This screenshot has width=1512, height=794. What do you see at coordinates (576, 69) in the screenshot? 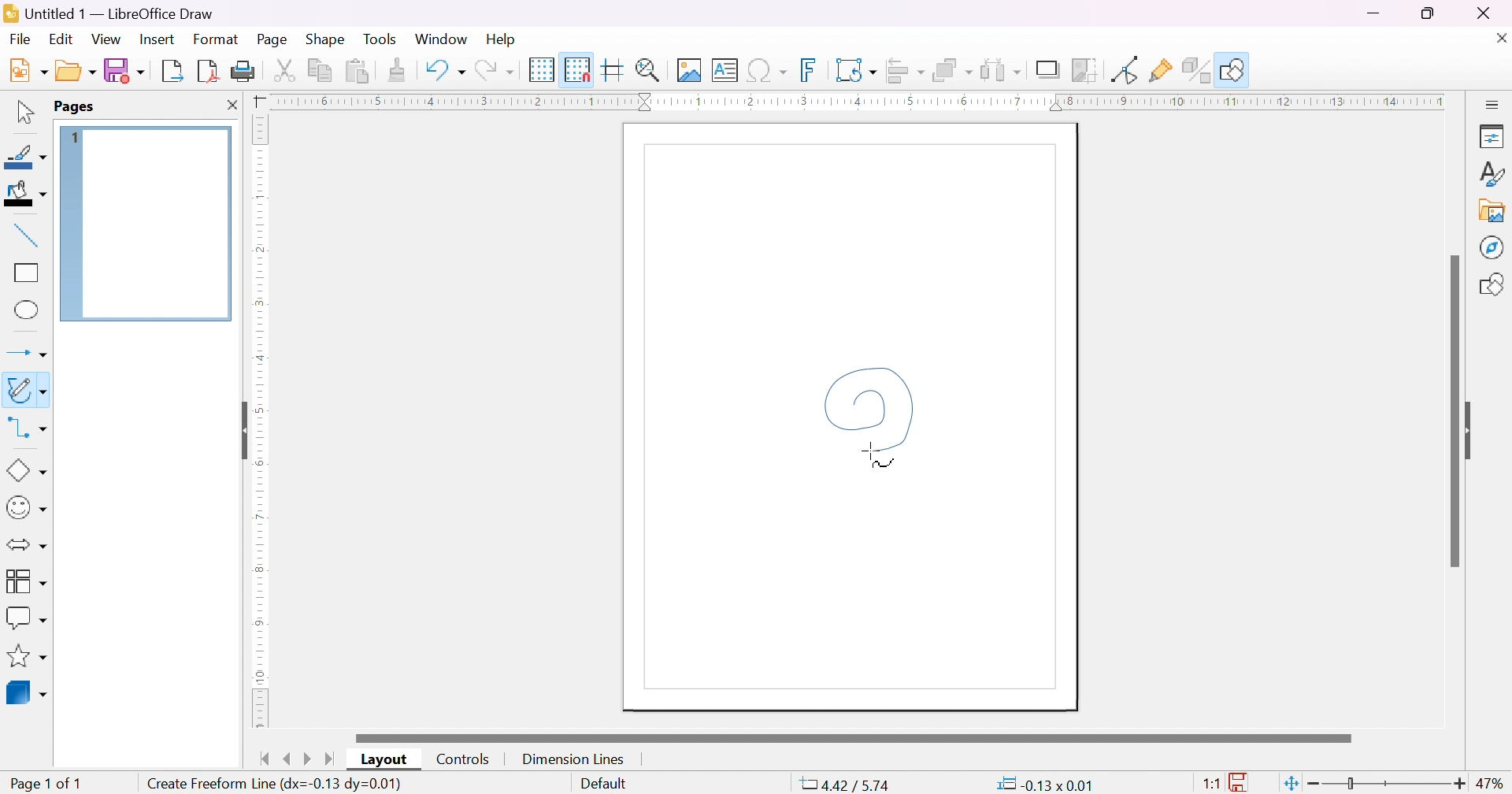
I see `snap to grid` at bounding box center [576, 69].